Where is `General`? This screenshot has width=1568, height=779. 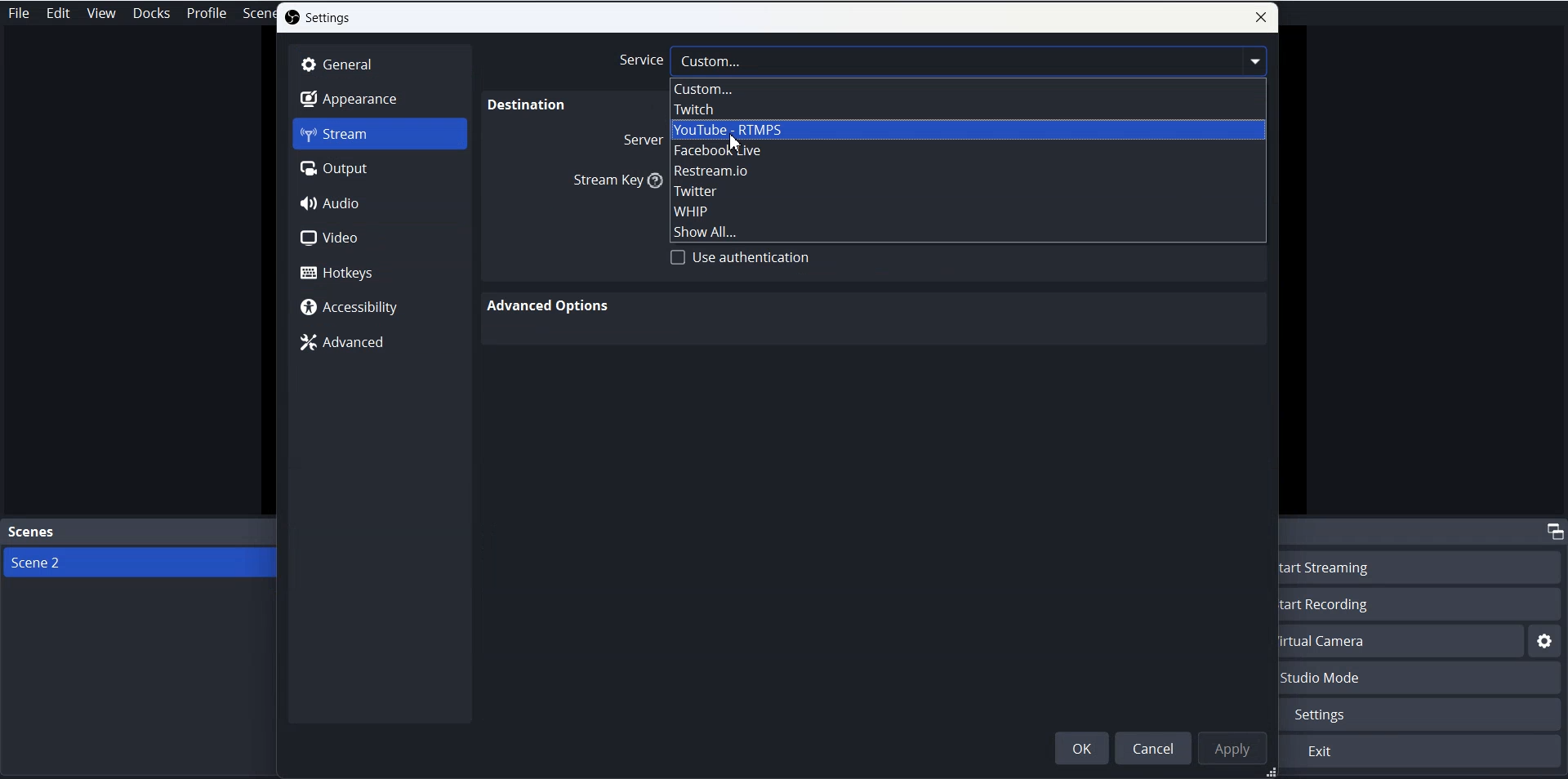 General is located at coordinates (380, 65).